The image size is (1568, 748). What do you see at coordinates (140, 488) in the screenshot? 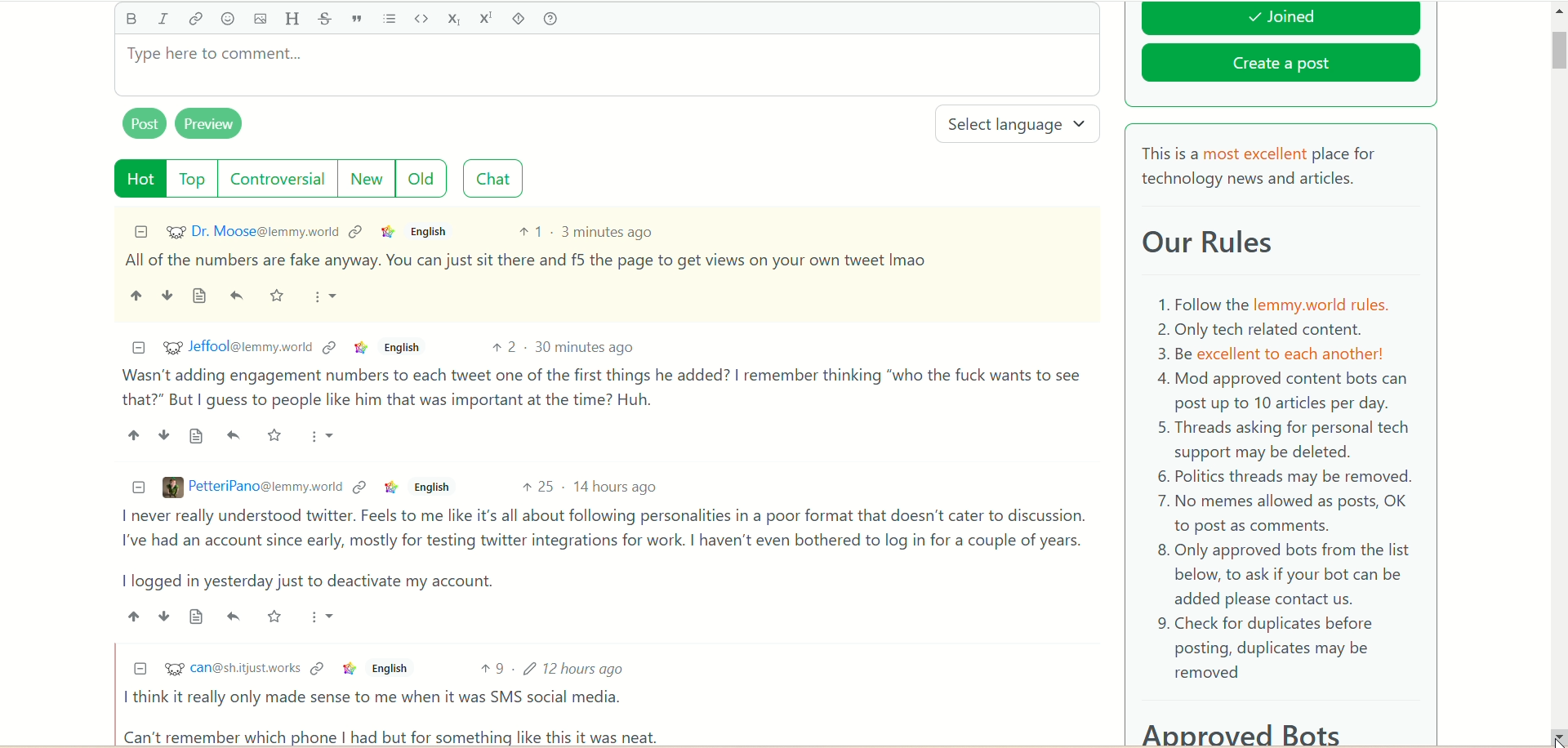
I see `Collapse` at bounding box center [140, 488].